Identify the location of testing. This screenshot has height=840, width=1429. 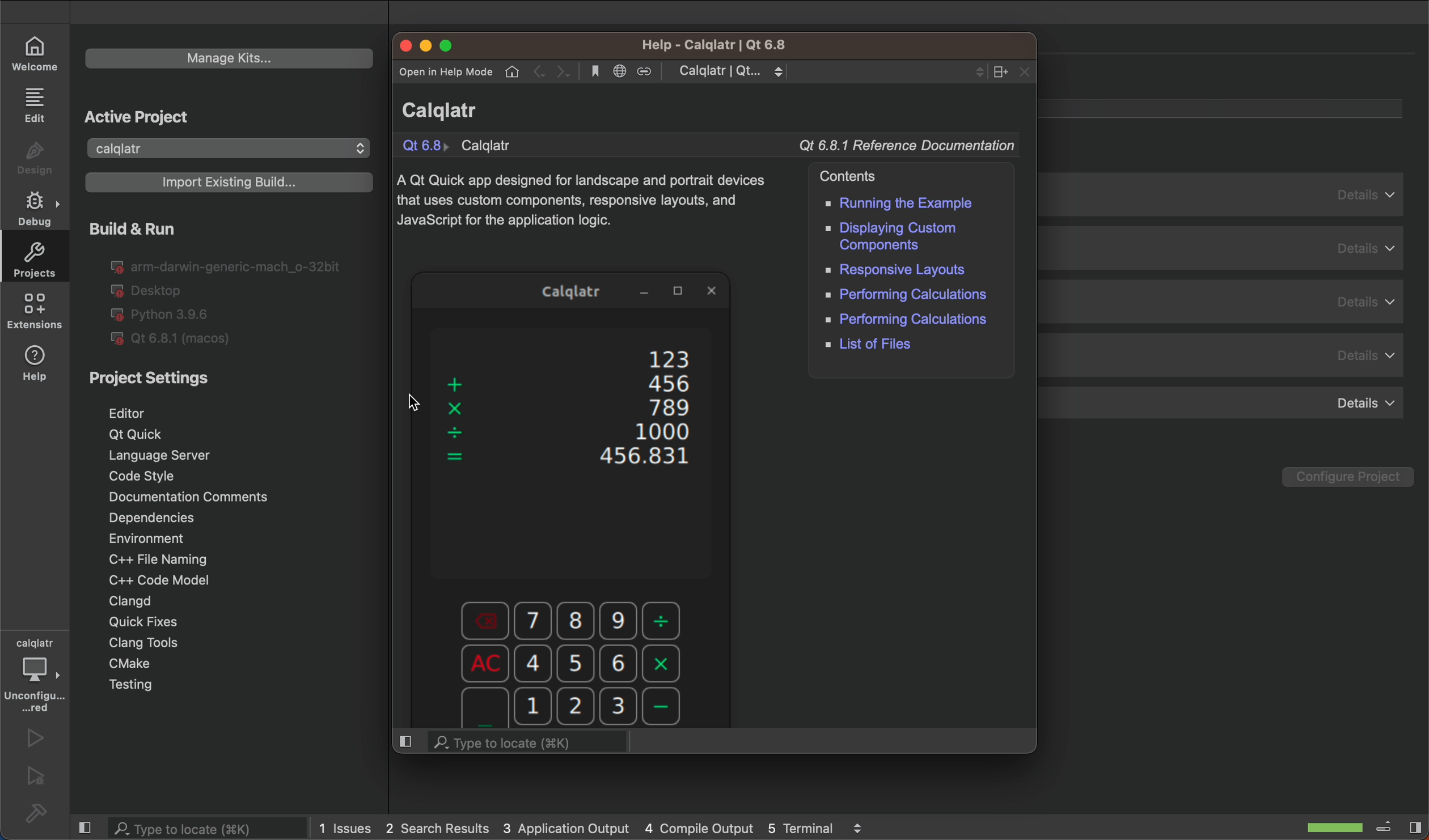
(138, 688).